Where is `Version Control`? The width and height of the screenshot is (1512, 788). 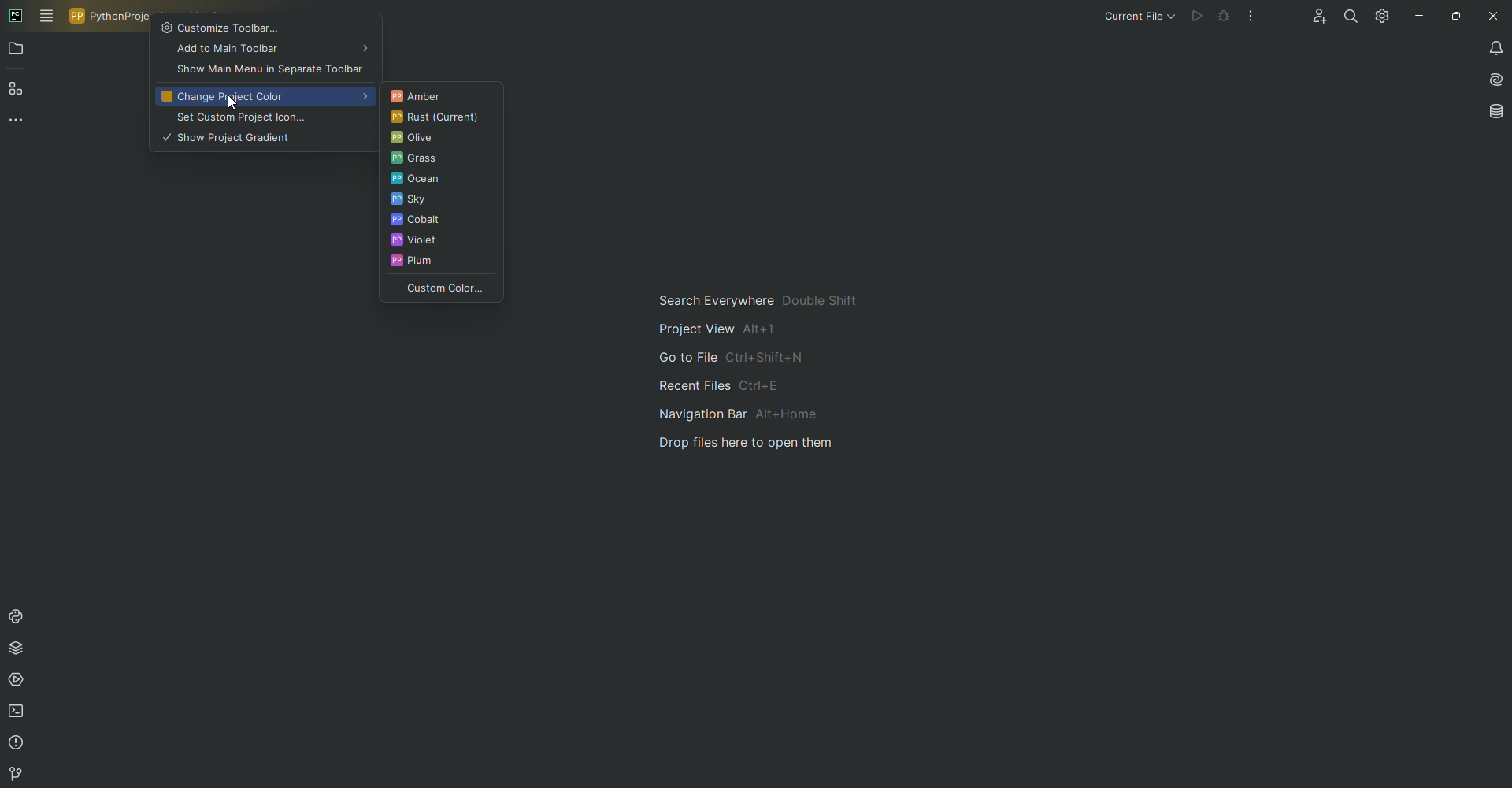
Version Control is located at coordinates (13, 774).